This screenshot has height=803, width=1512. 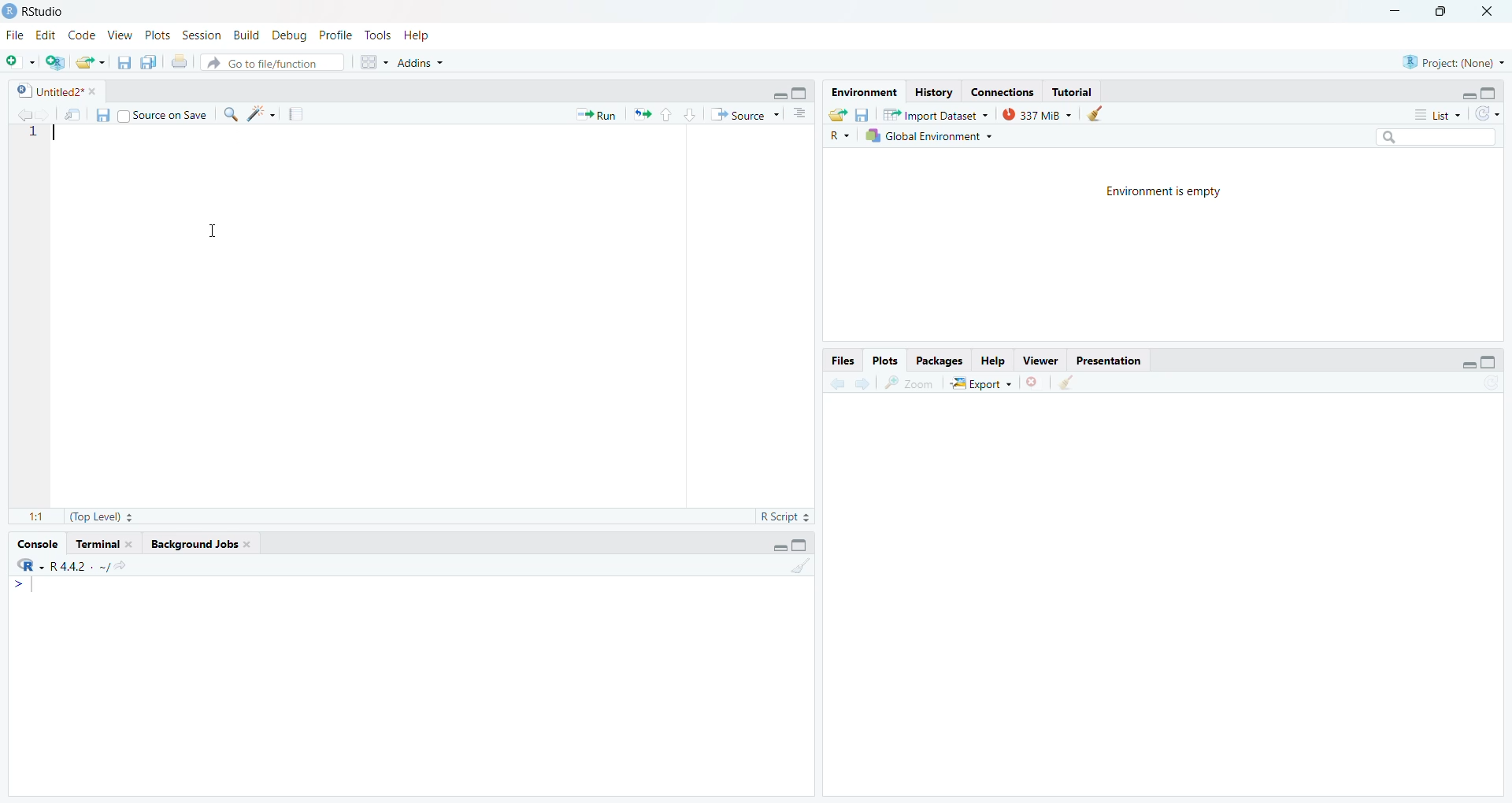 I want to click on R - R442 . ~/, so click(x=83, y=568).